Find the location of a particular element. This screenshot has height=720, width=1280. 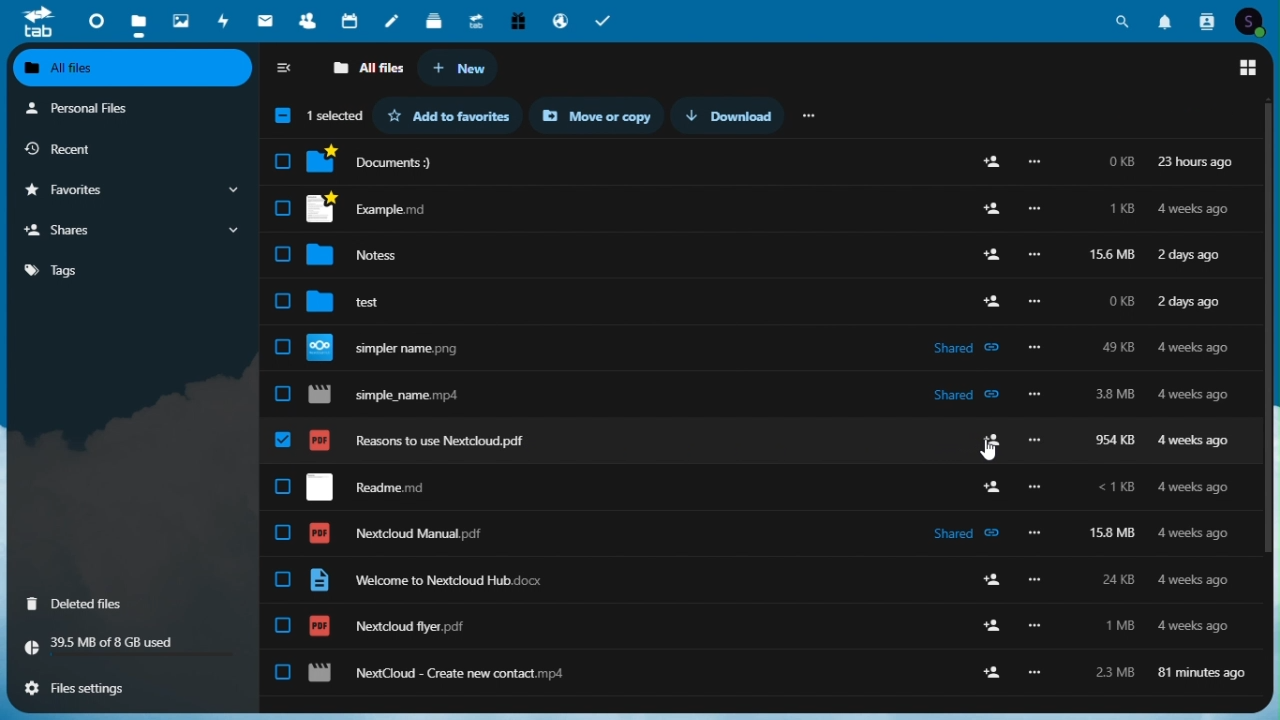

nextcloud manual.pdf is located at coordinates (399, 534).